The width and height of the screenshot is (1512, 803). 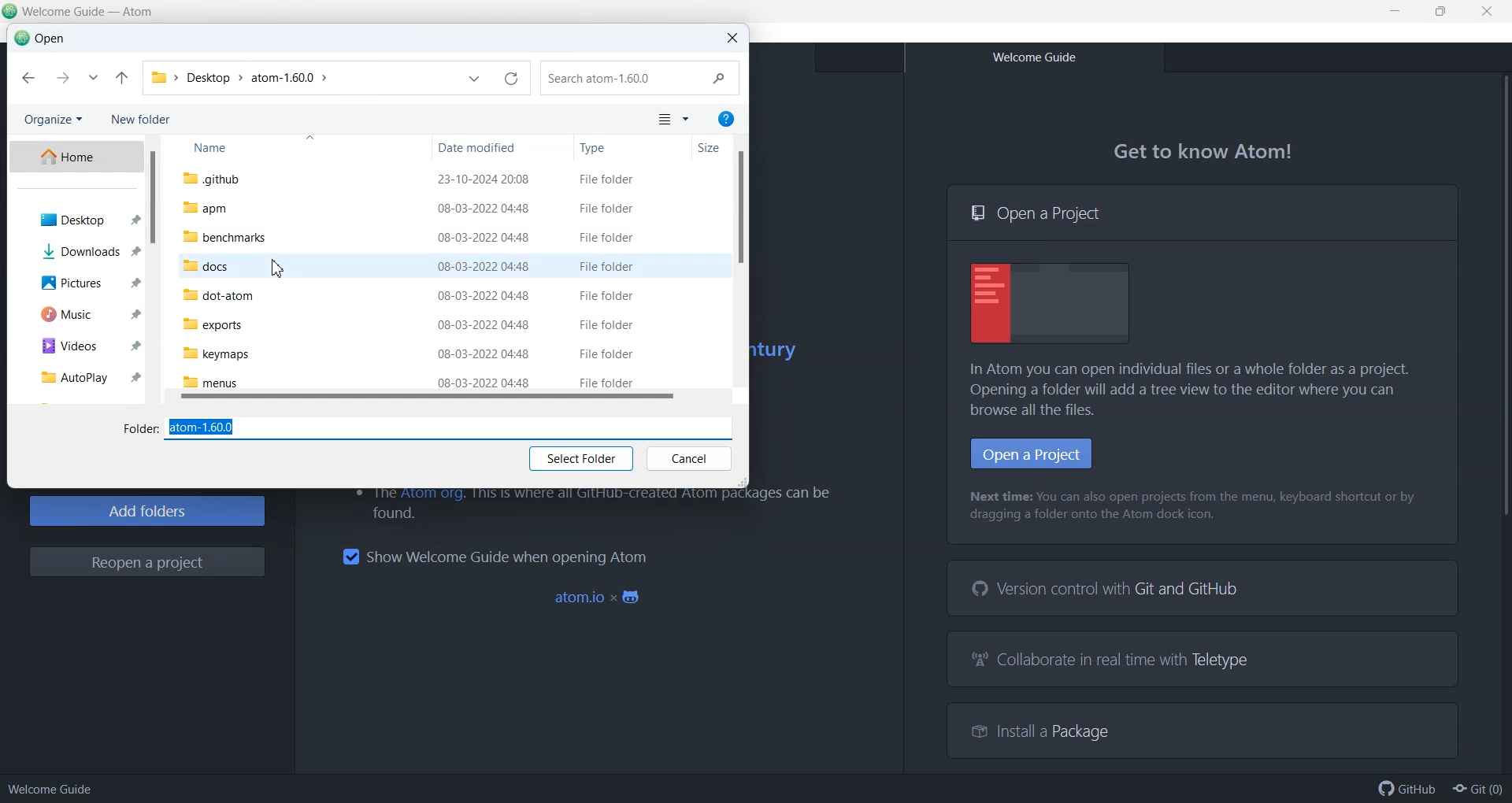 I want to click on Vertical slide bar, so click(x=740, y=216).